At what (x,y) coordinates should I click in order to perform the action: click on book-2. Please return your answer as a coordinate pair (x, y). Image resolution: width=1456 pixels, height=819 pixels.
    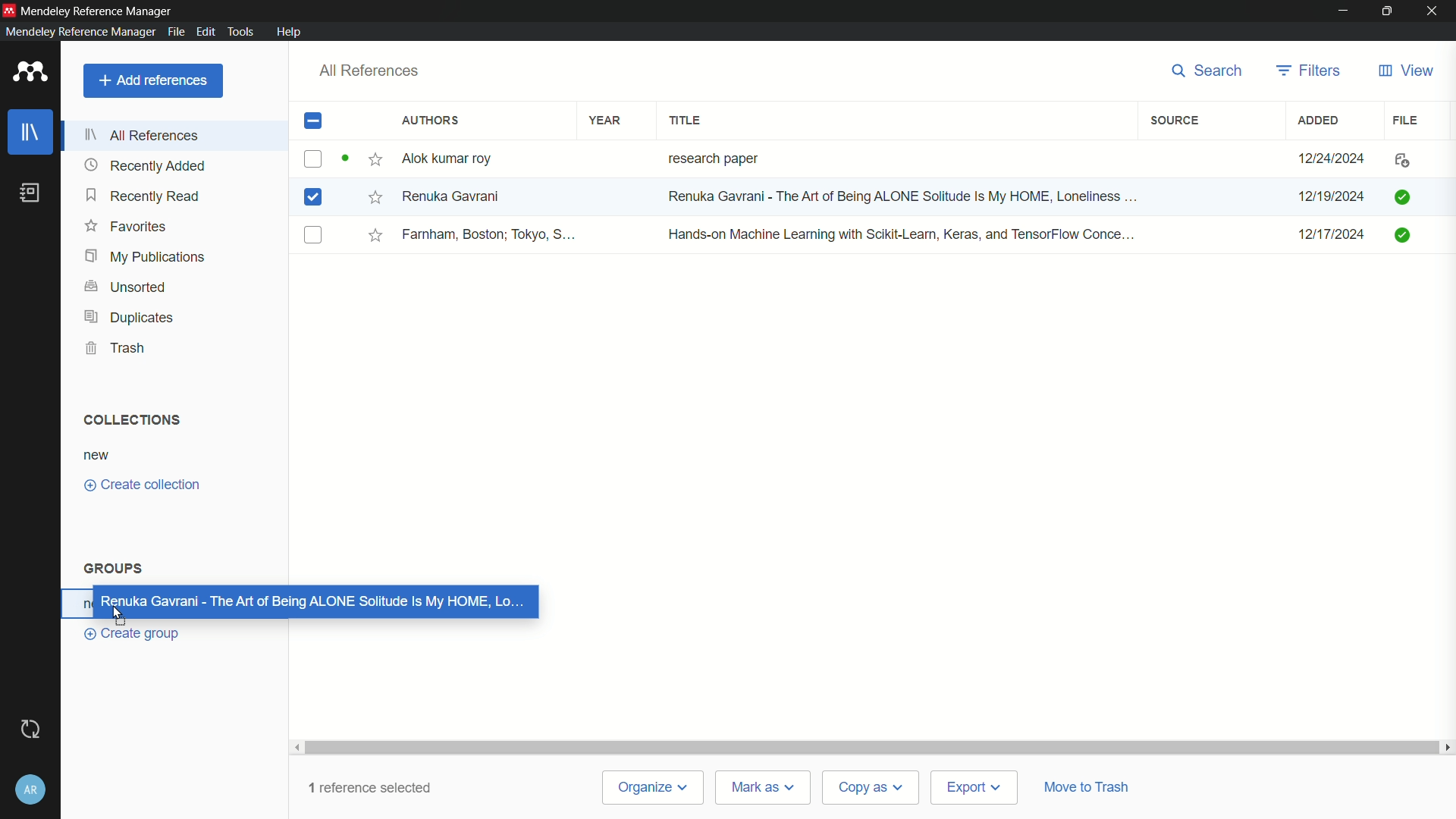
    Looking at the image, I should click on (315, 199).